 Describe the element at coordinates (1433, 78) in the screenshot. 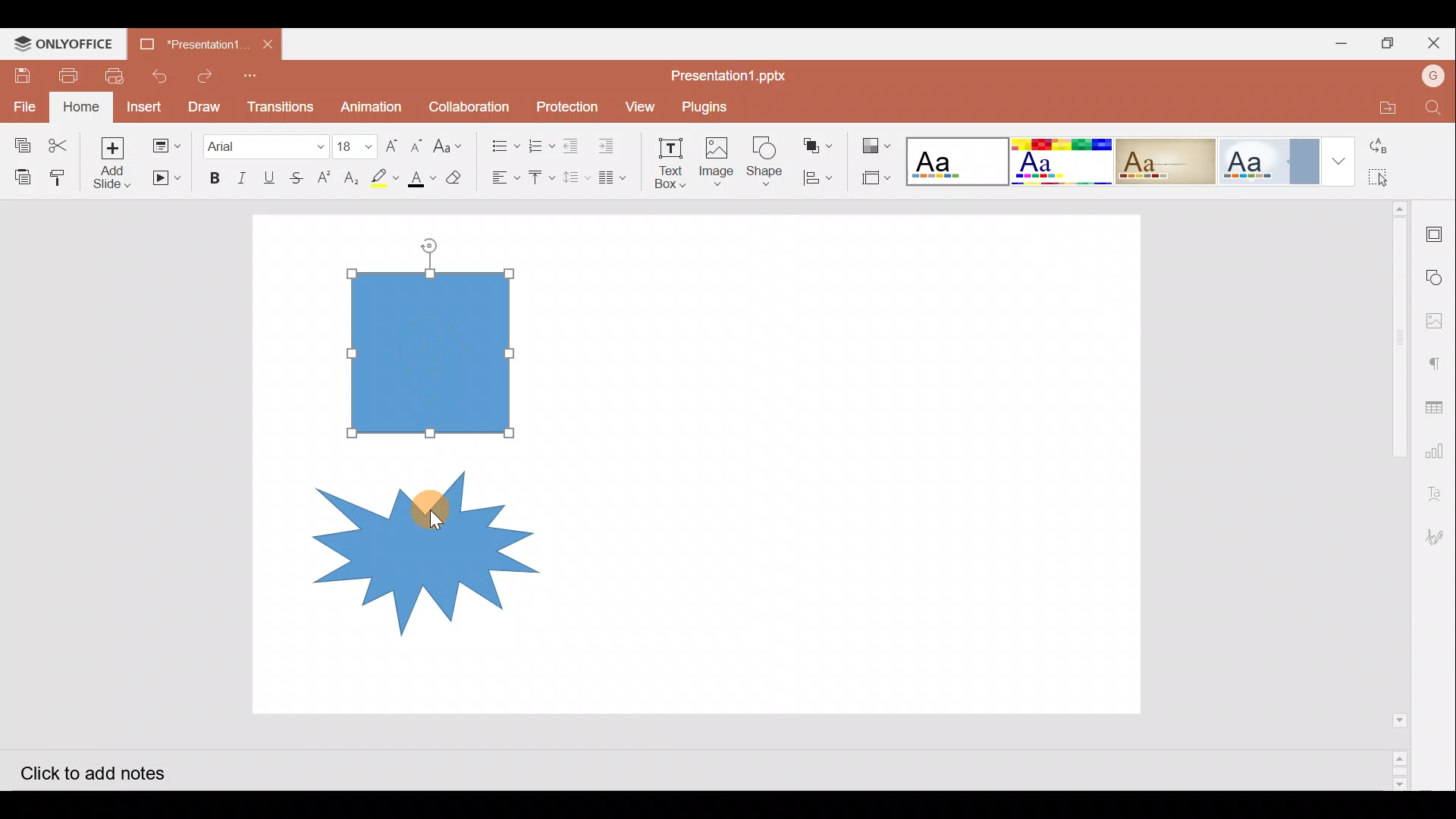

I see `Account name` at that location.